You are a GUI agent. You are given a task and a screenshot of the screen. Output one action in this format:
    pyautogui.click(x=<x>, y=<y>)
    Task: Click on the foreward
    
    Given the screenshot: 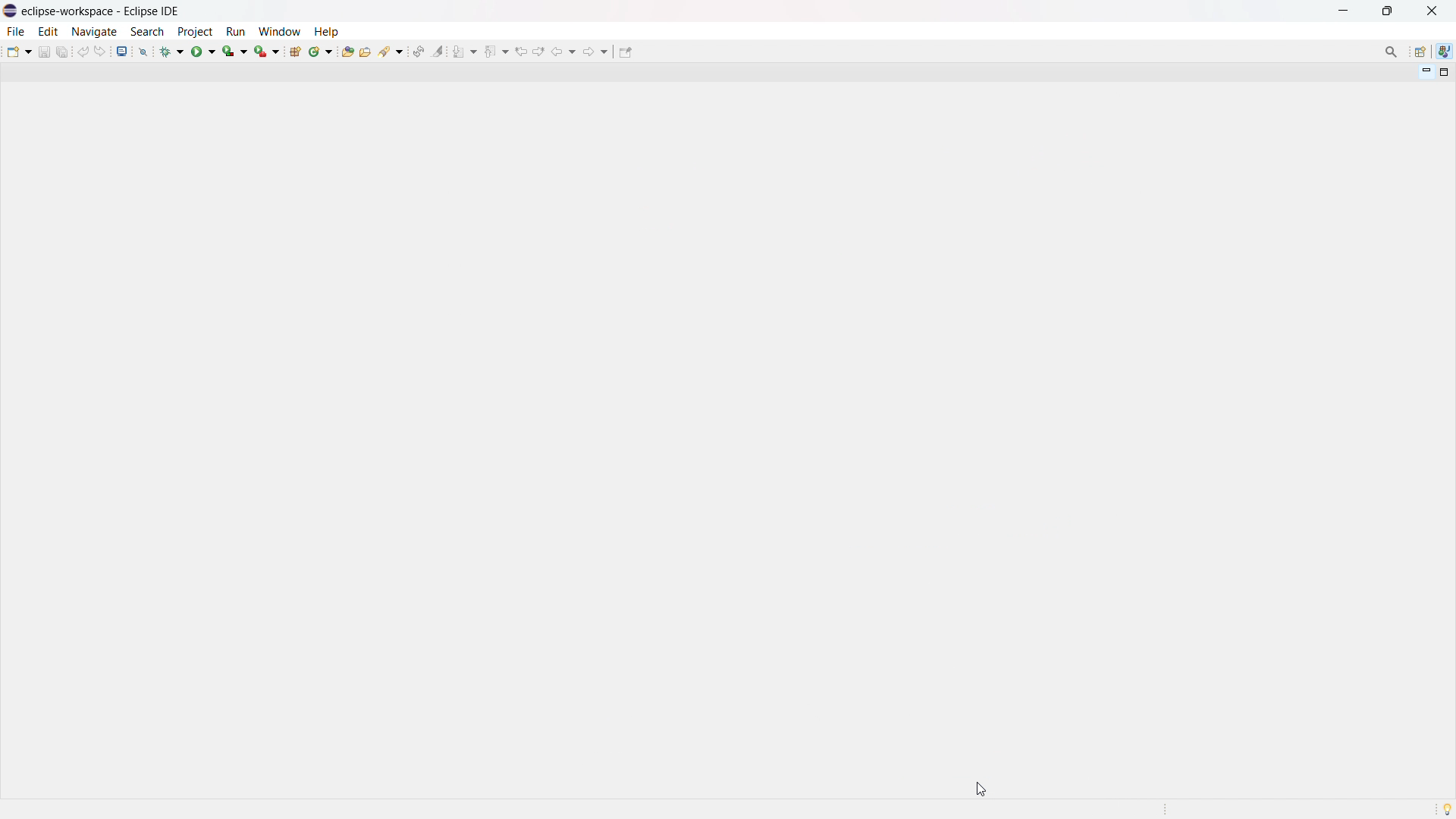 What is the action you would take?
    pyautogui.click(x=596, y=51)
    